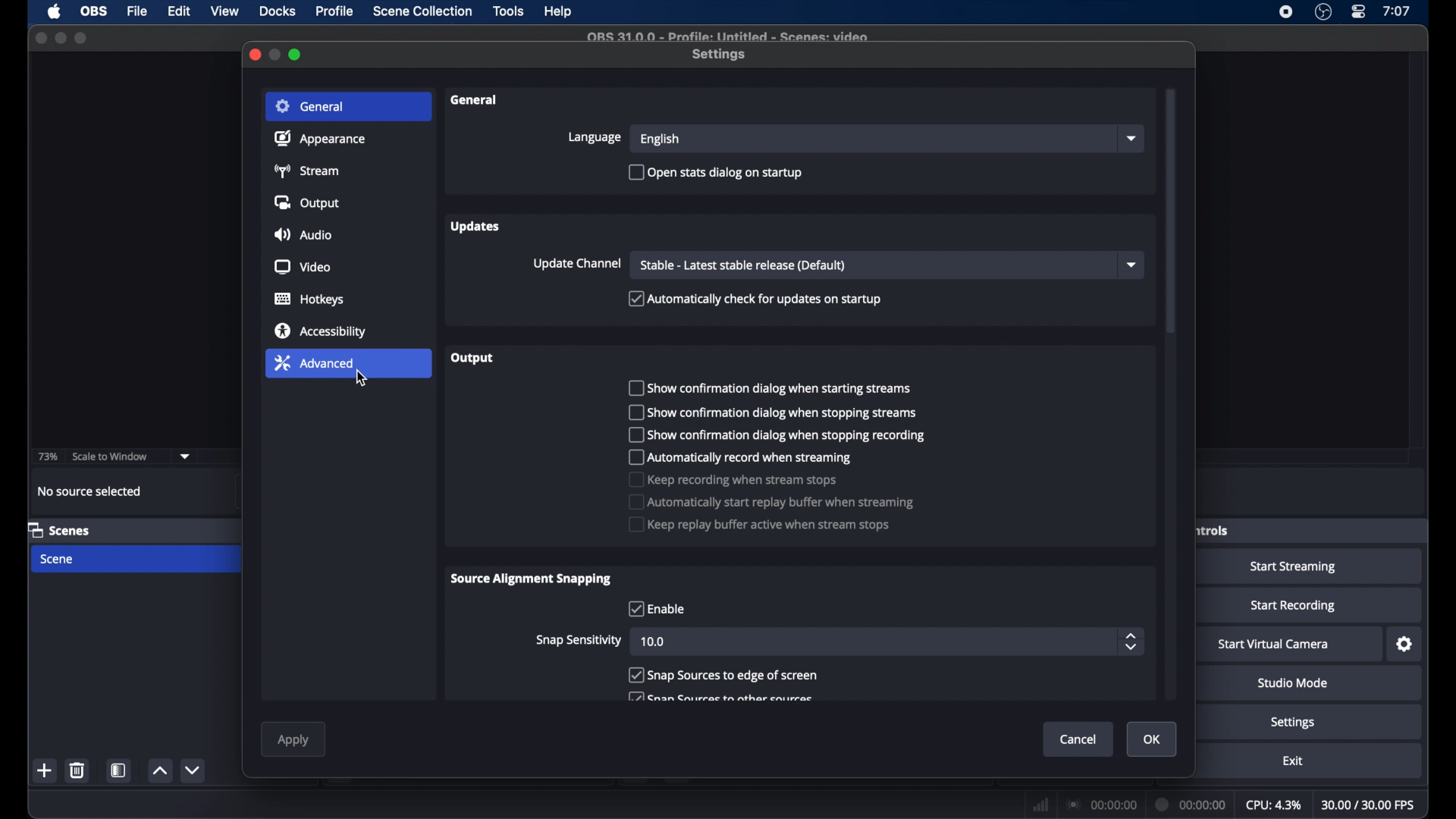  Describe the element at coordinates (112, 457) in the screenshot. I see `scale to window` at that location.